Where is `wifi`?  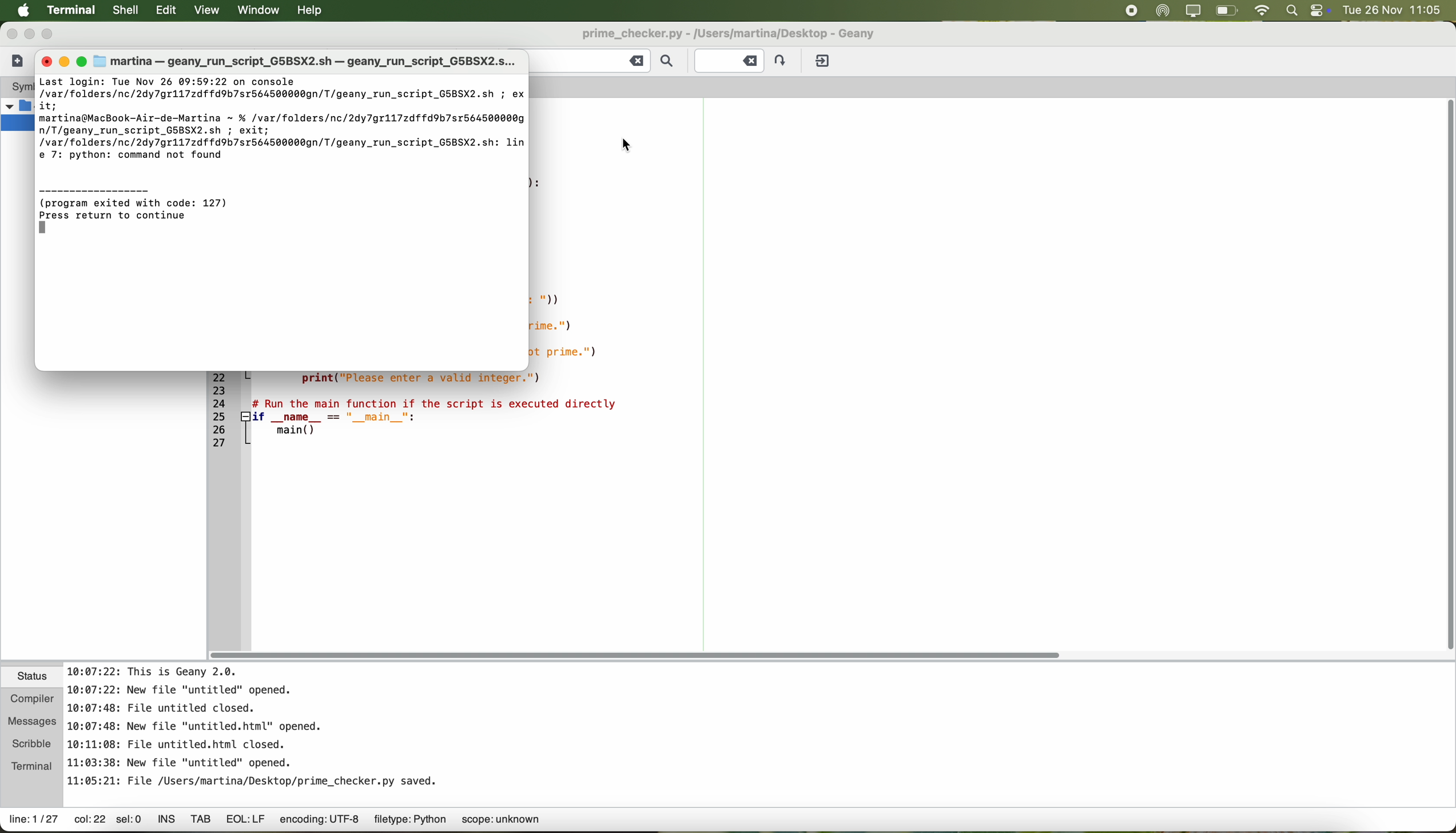 wifi is located at coordinates (1263, 10).